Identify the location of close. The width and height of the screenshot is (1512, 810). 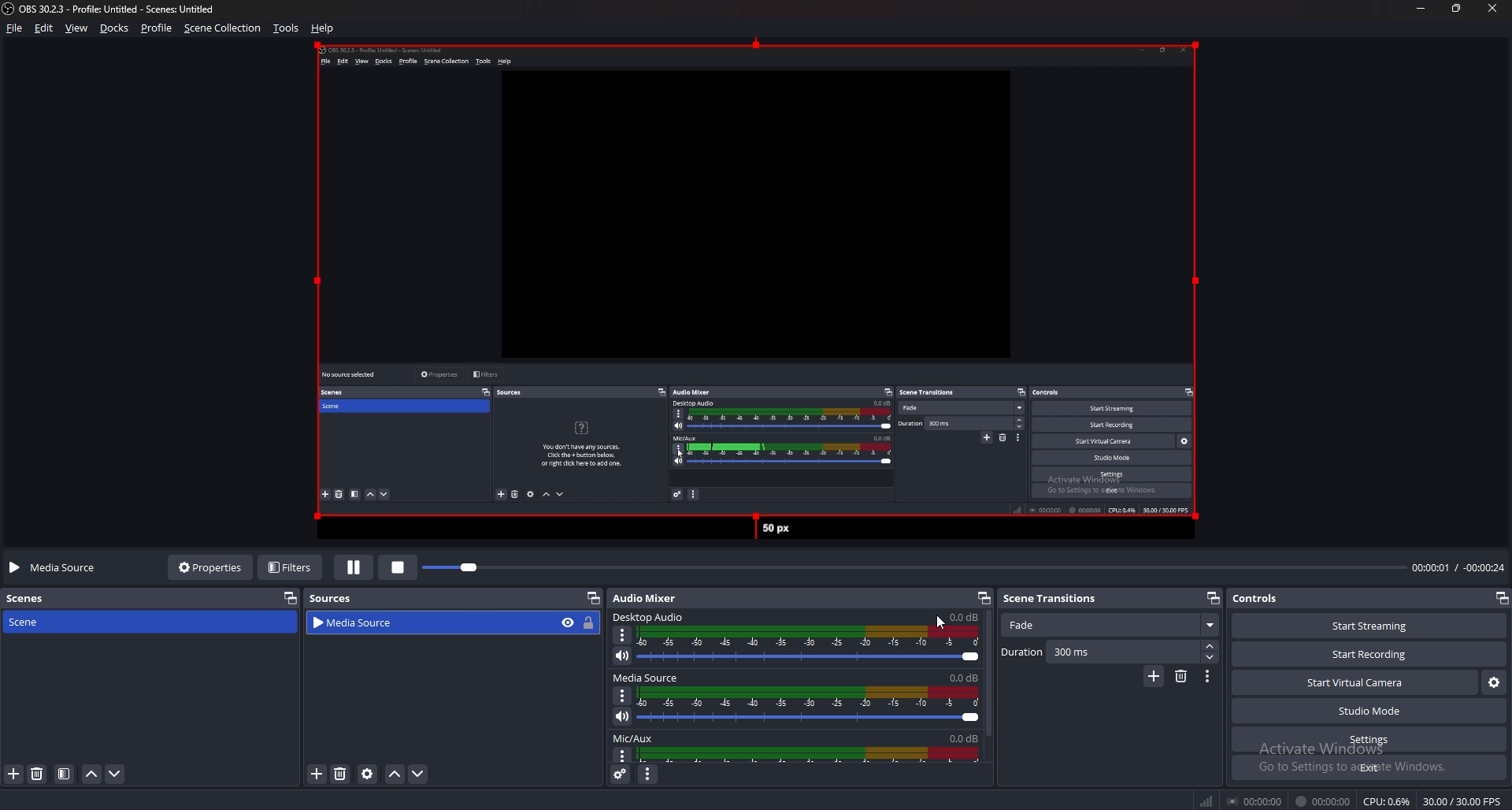
(1494, 8).